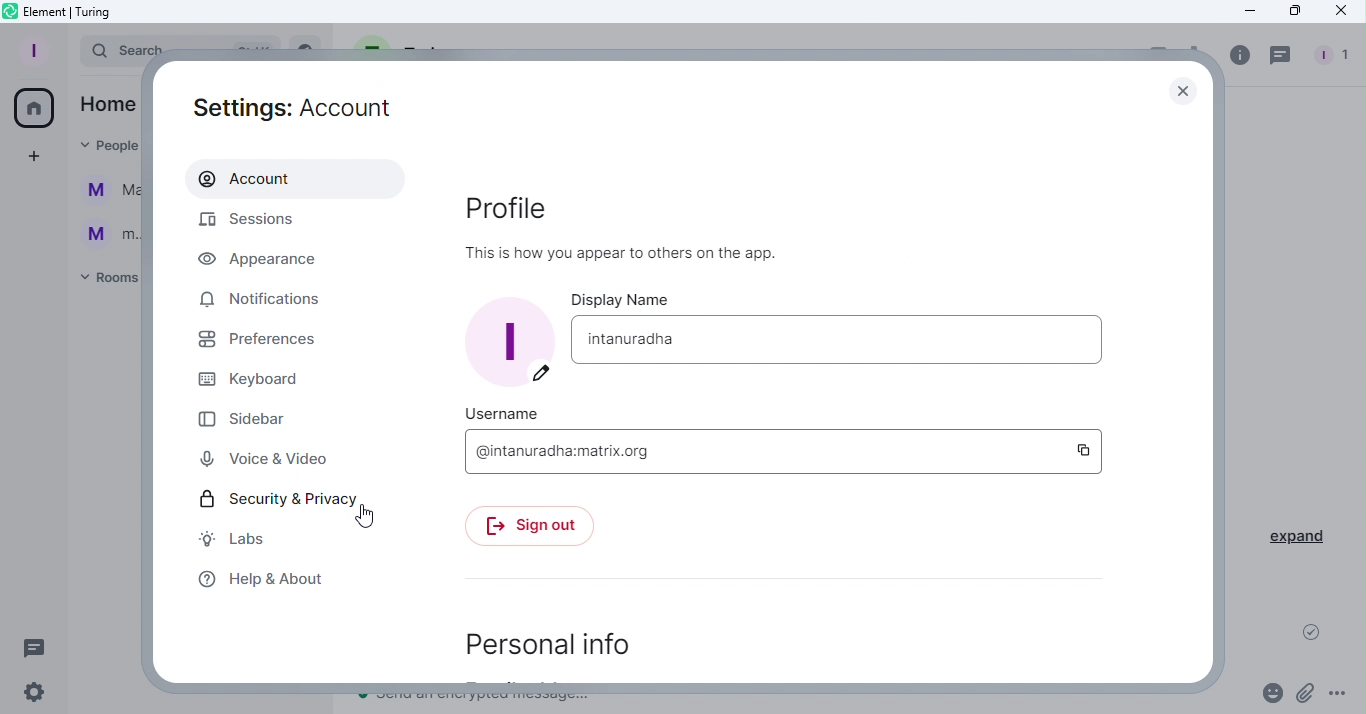 The height and width of the screenshot is (714, 1366). What do you see at coordinates (1312, 636) in the screenshot?
I see `Message sent` at bounding box center [1312, 636].